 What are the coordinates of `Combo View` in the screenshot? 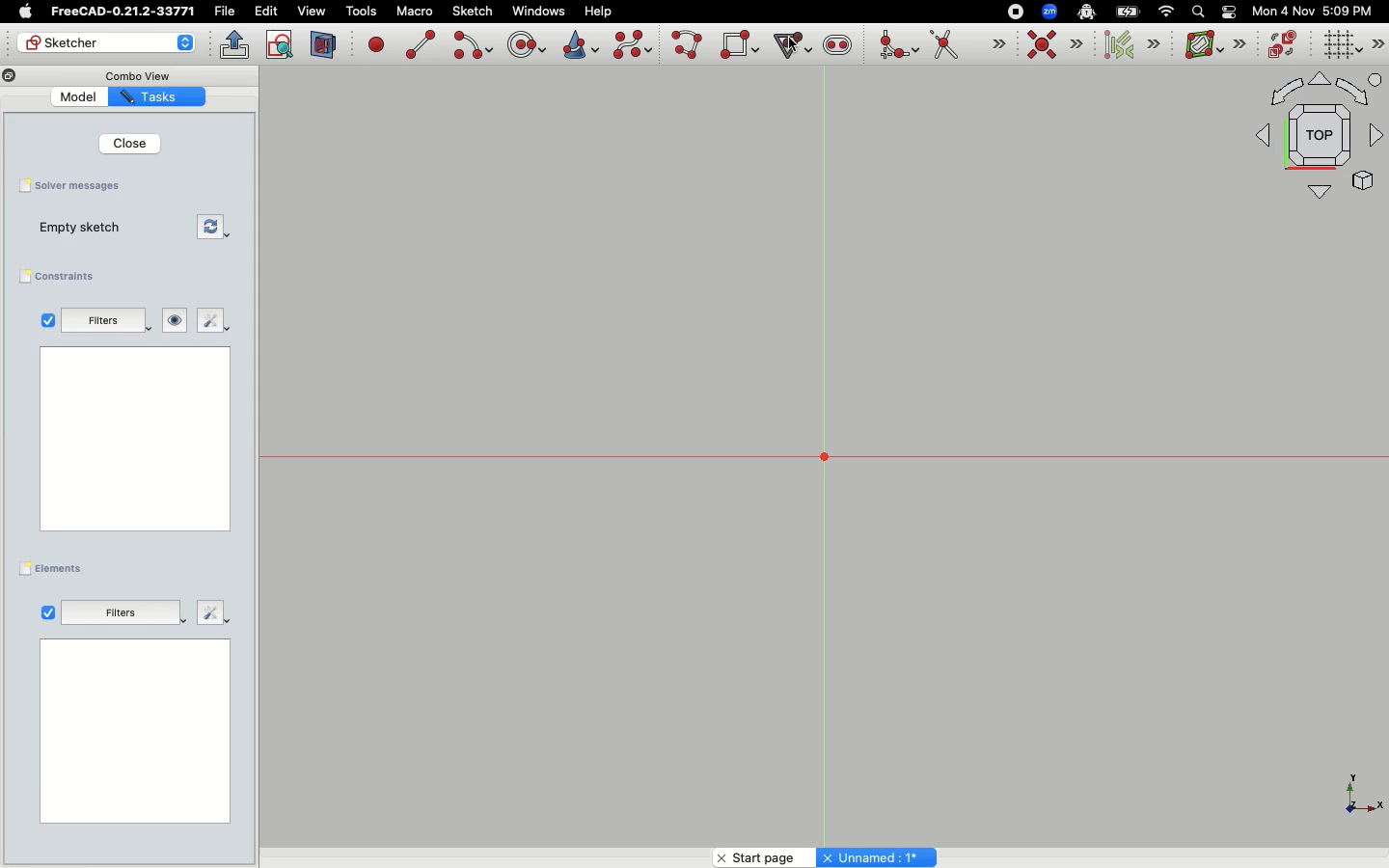 It's located at (137, 75).